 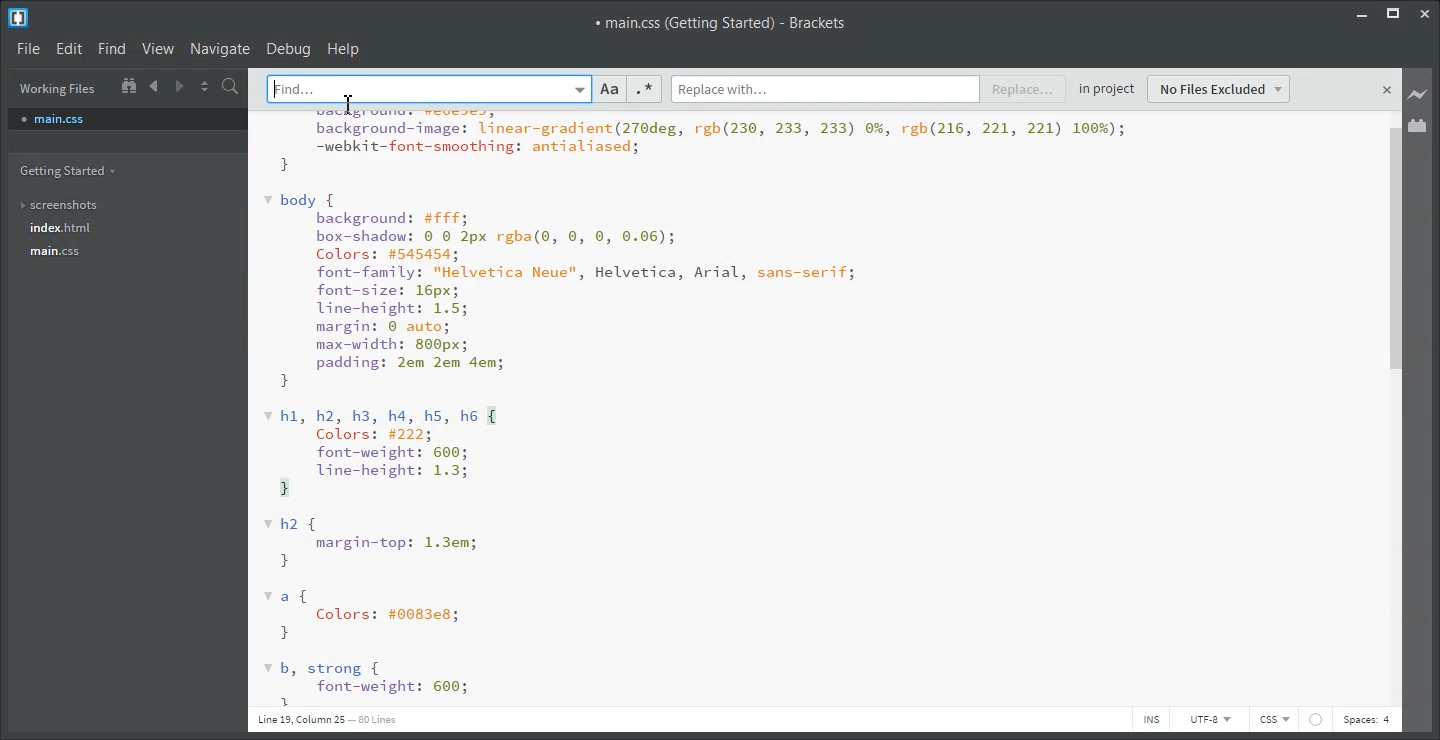 What do you see at coordinates (1367, 721) in the screenshot?
I see `Spaces: 4` at bounding box center [1367, 721].